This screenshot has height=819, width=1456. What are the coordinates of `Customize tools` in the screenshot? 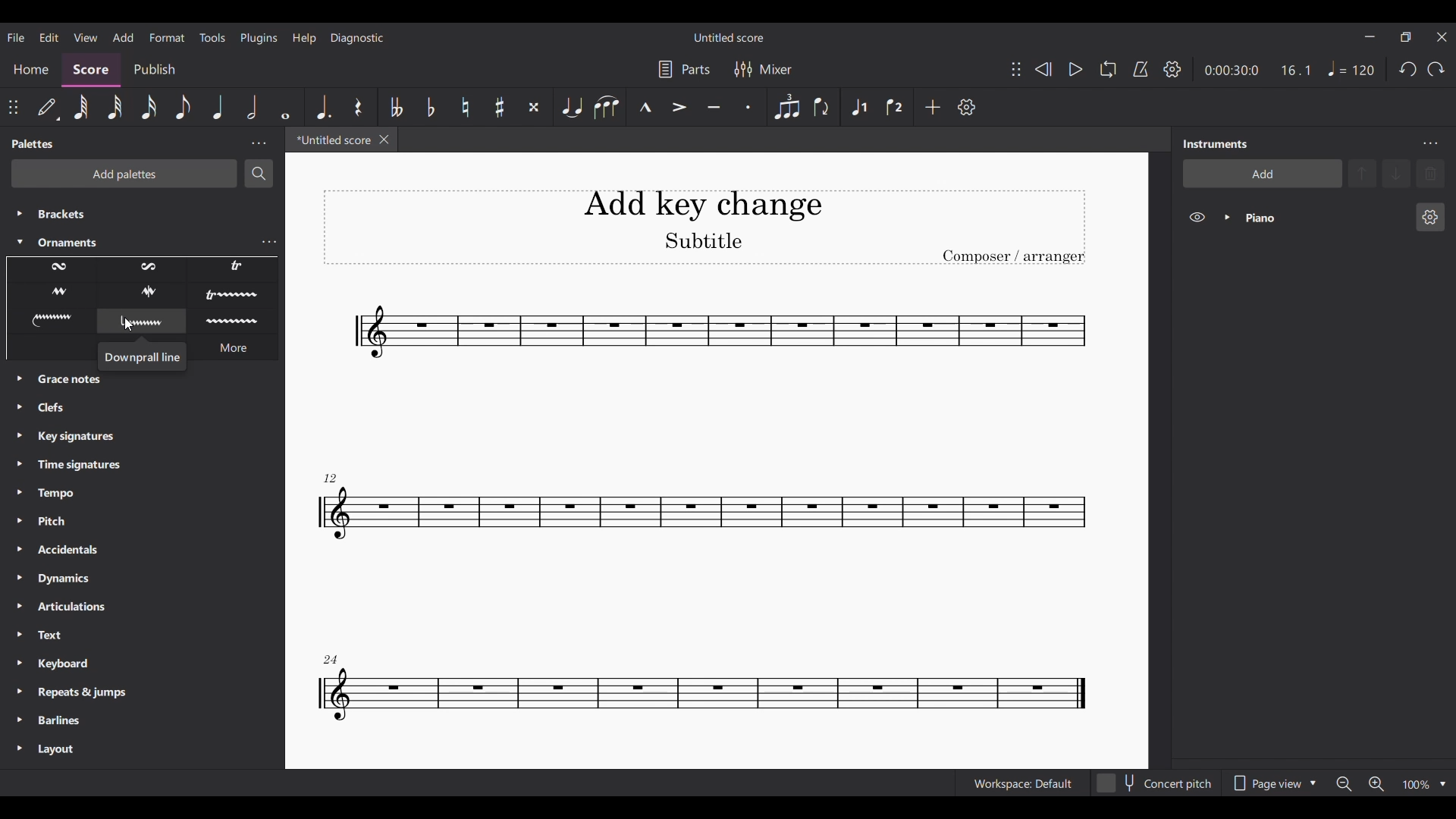 It's located at (968, 107).